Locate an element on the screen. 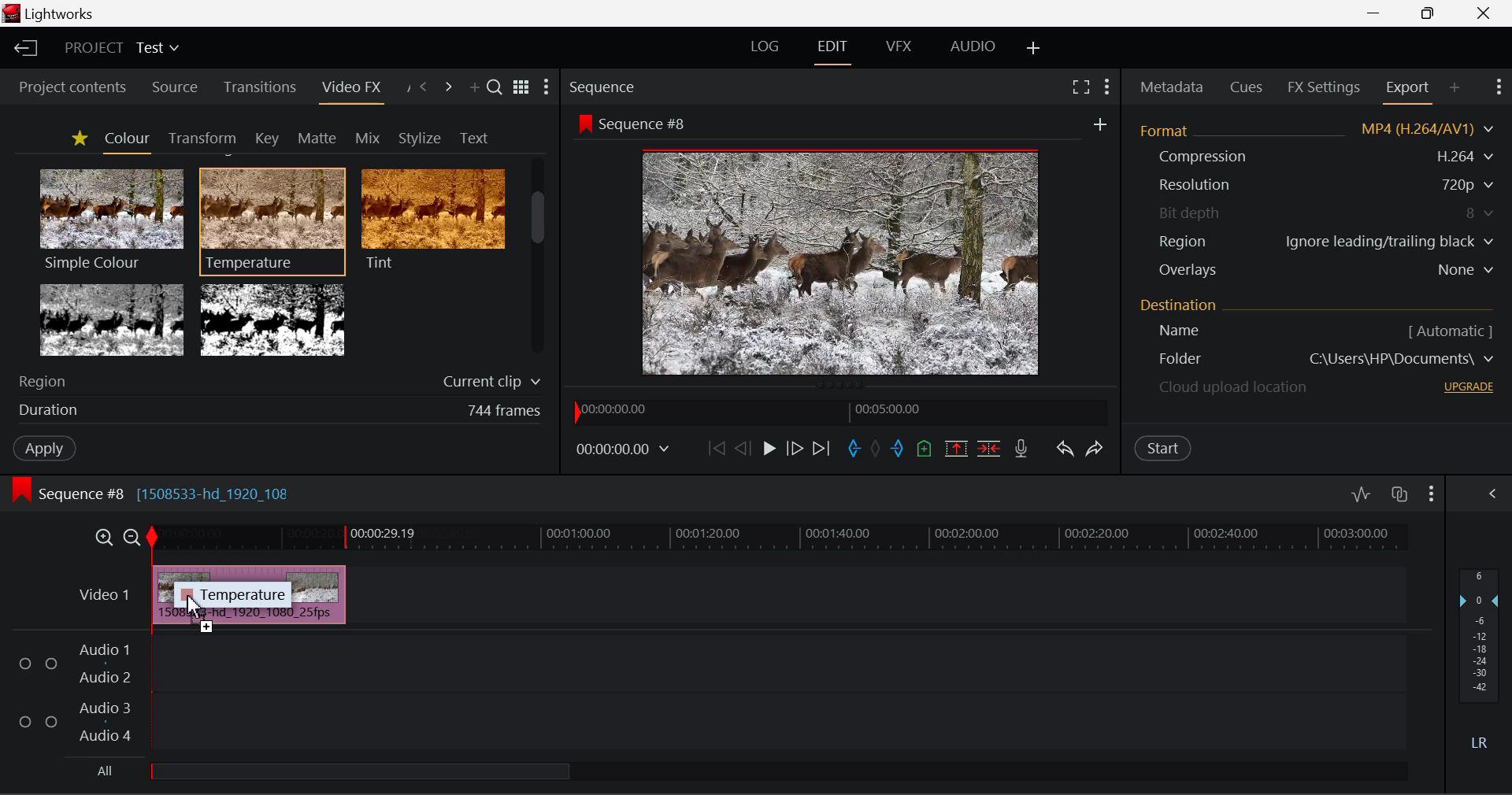 This screenshot has height=795, width=1512. Toggle audio levels editing is located at coordinates (1360, 492).